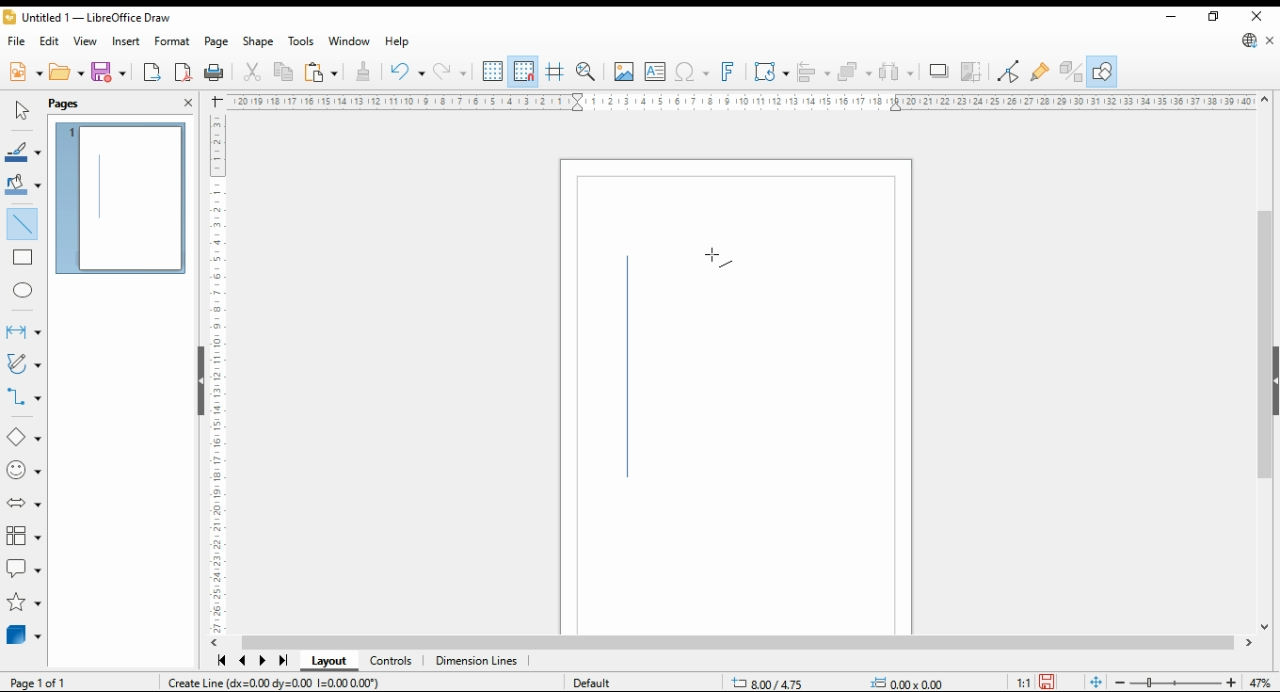  Describe the element at coordinates (221, 662) in the screenshot. I see `first page` at that location.